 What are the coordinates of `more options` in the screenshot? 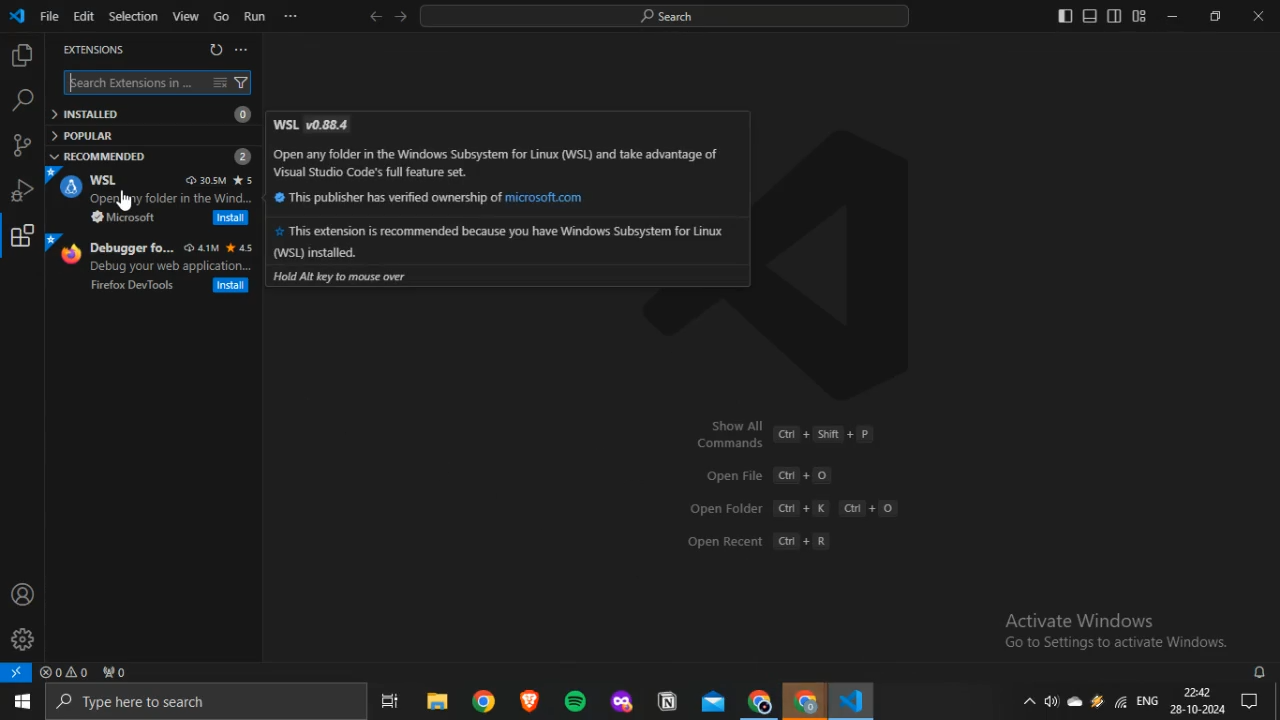 It's located at (240, 49).